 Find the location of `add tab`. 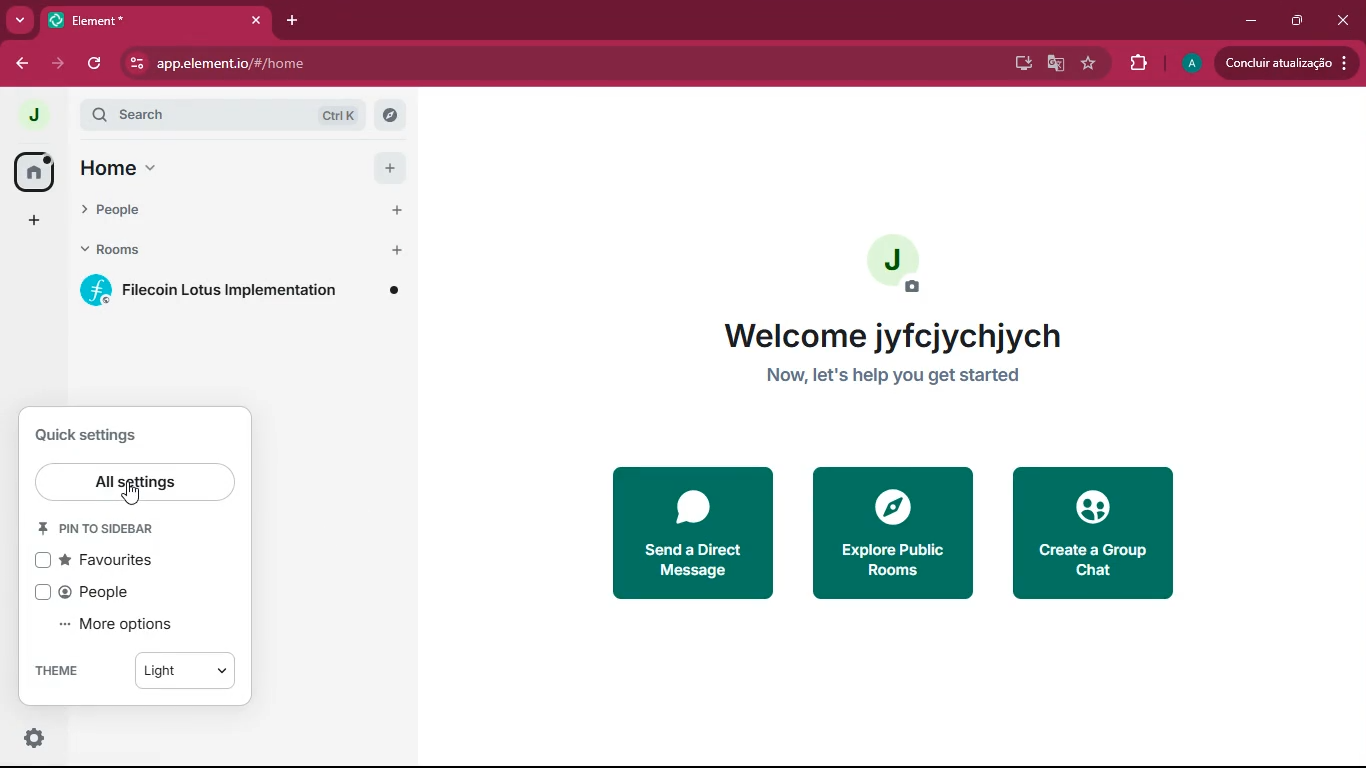

add tab is located at coordinates (295, 20).